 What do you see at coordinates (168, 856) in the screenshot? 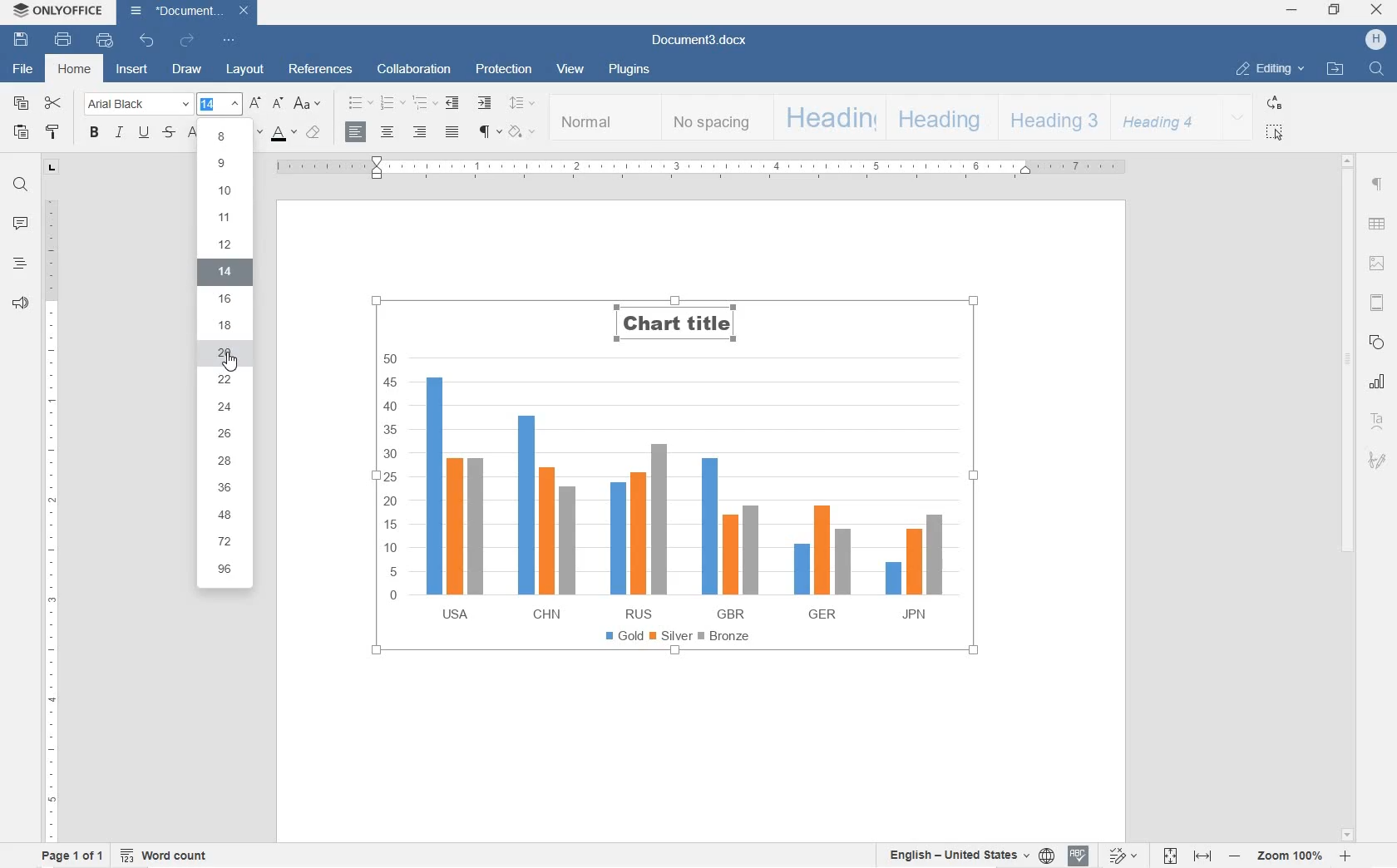
I see `WORD COUNT` at bounding box center [168, 856].